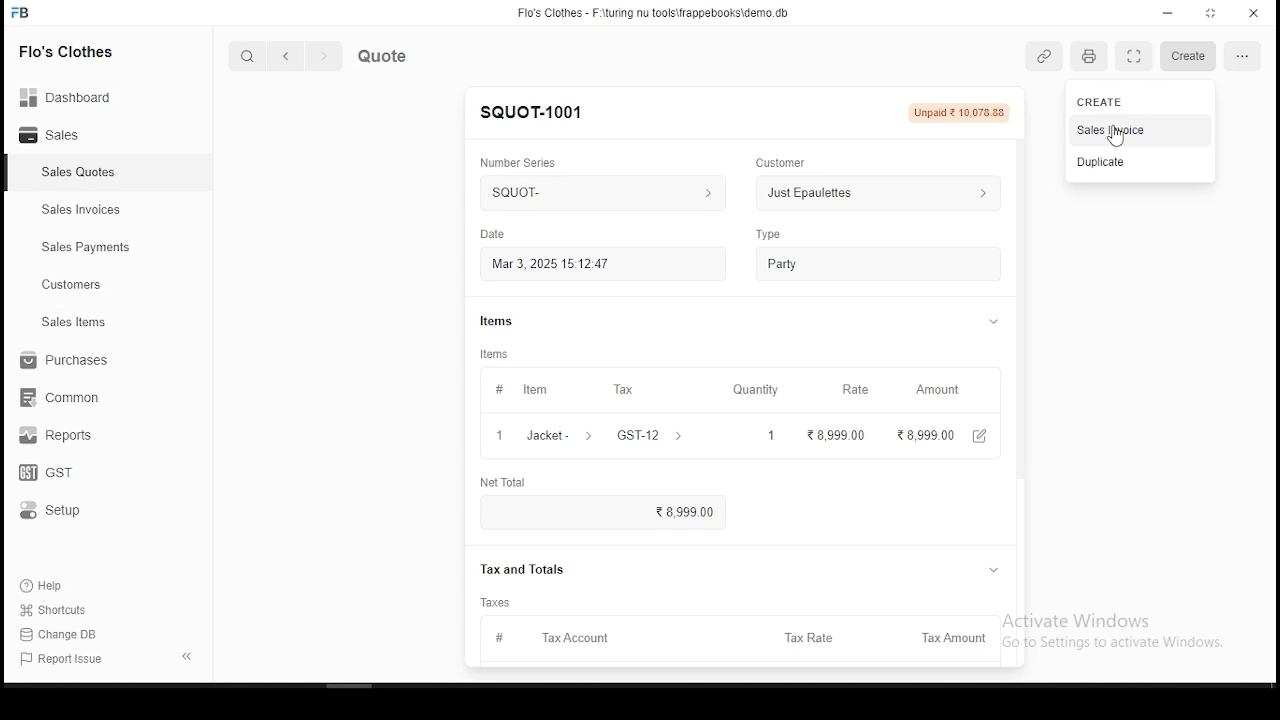 Image resolution: width=1280 pixels, height=720 pixels. I want to click on minimize, so click(1163, 13).